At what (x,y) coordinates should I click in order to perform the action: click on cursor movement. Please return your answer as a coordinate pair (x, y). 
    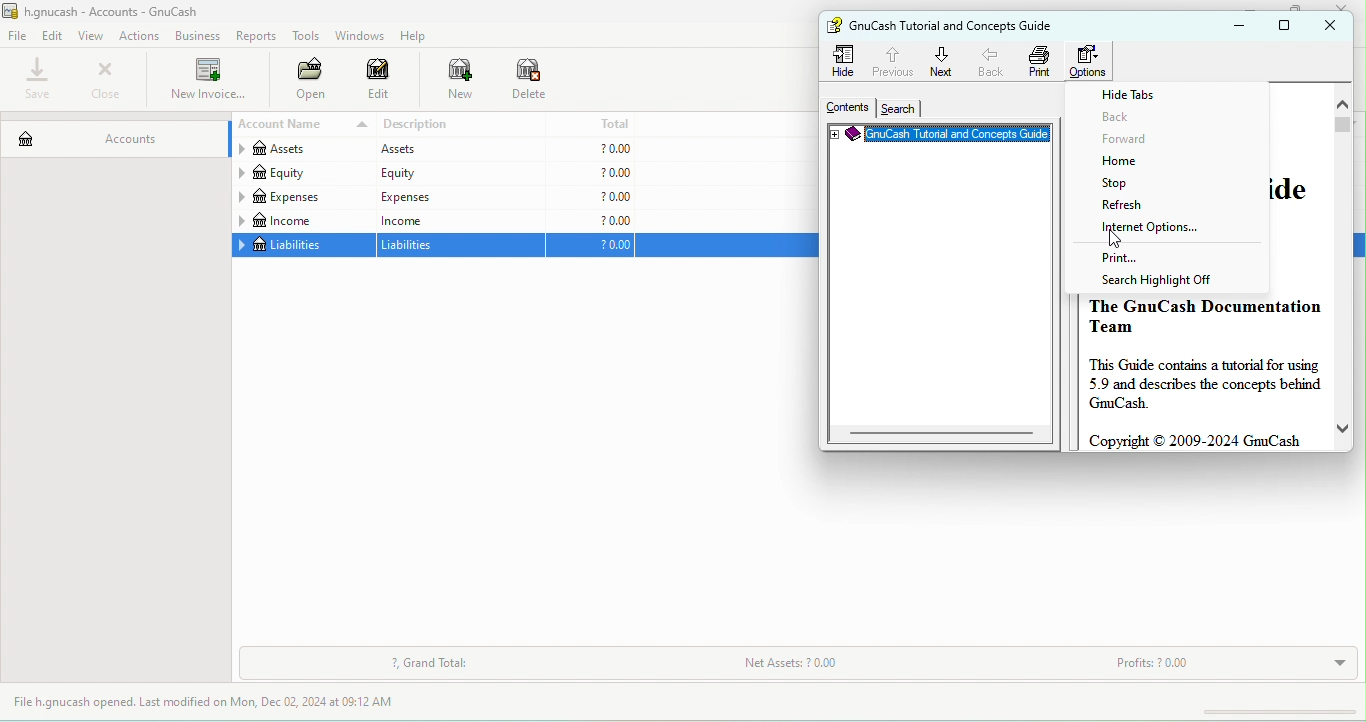
    Looking at the image, I should click on (1111, 239).